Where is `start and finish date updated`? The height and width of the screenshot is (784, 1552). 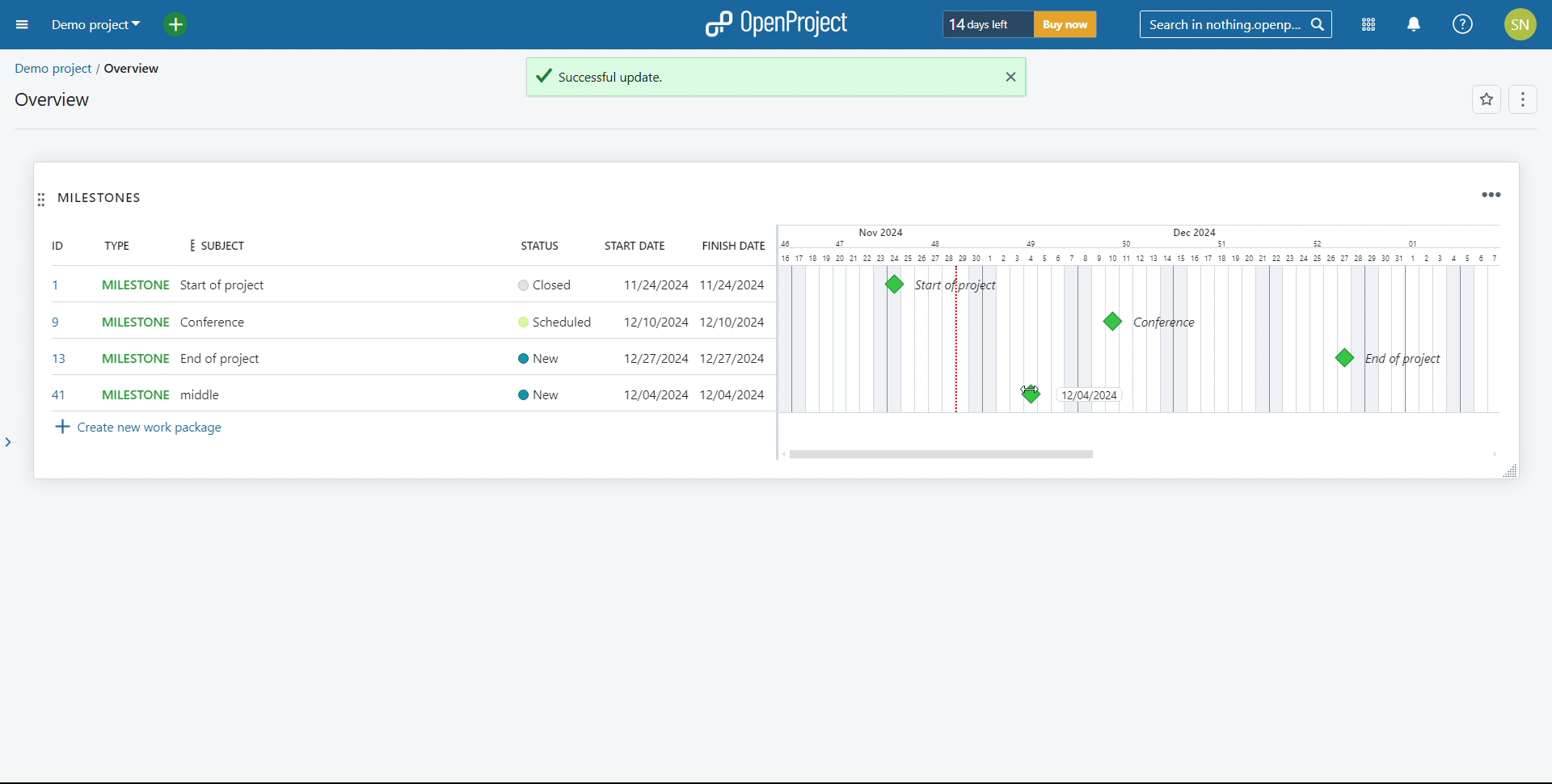
start and finish date updated is located at coordinates (693, 394).